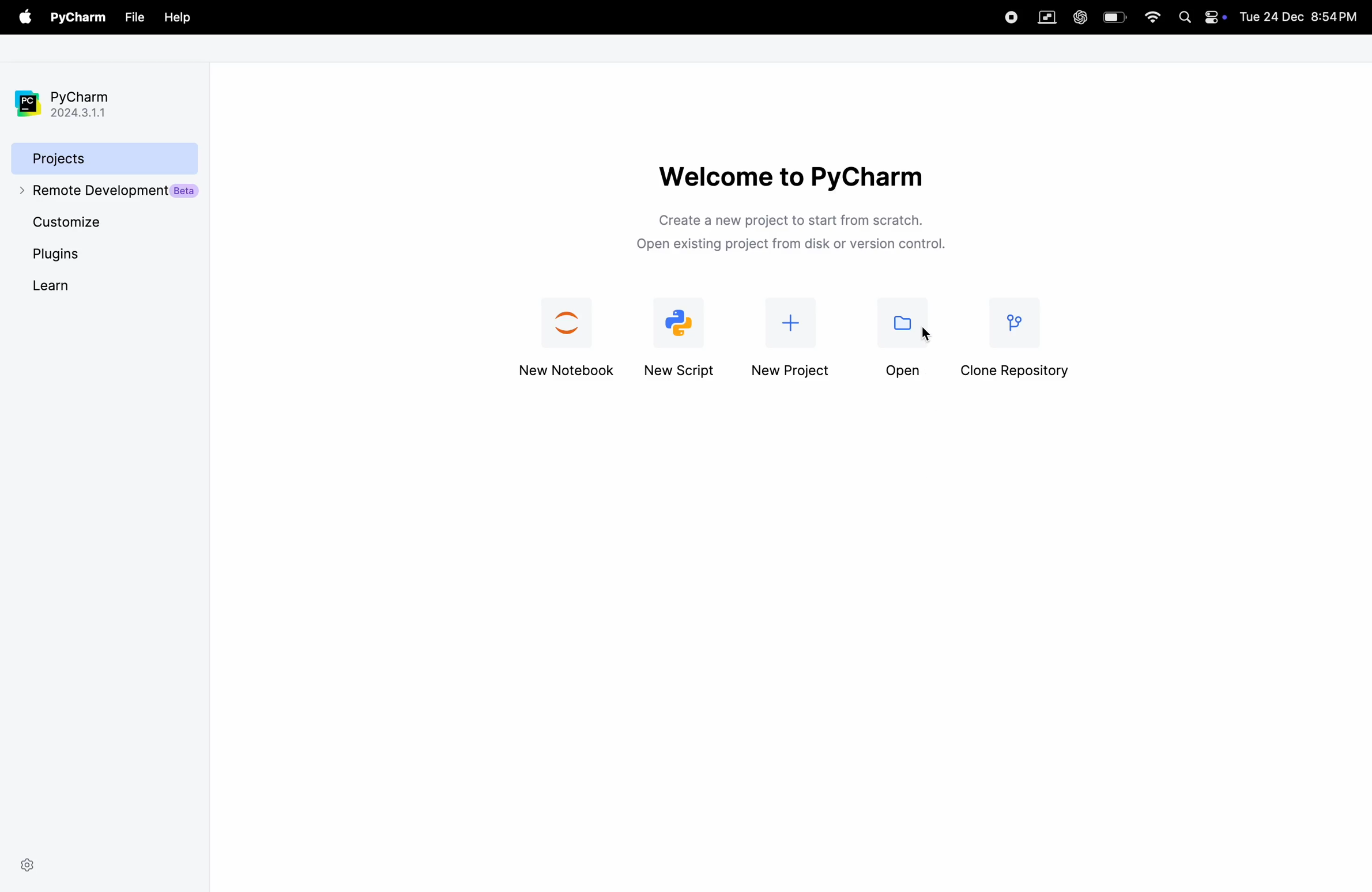  I want to click on learn , so click(84, 285).